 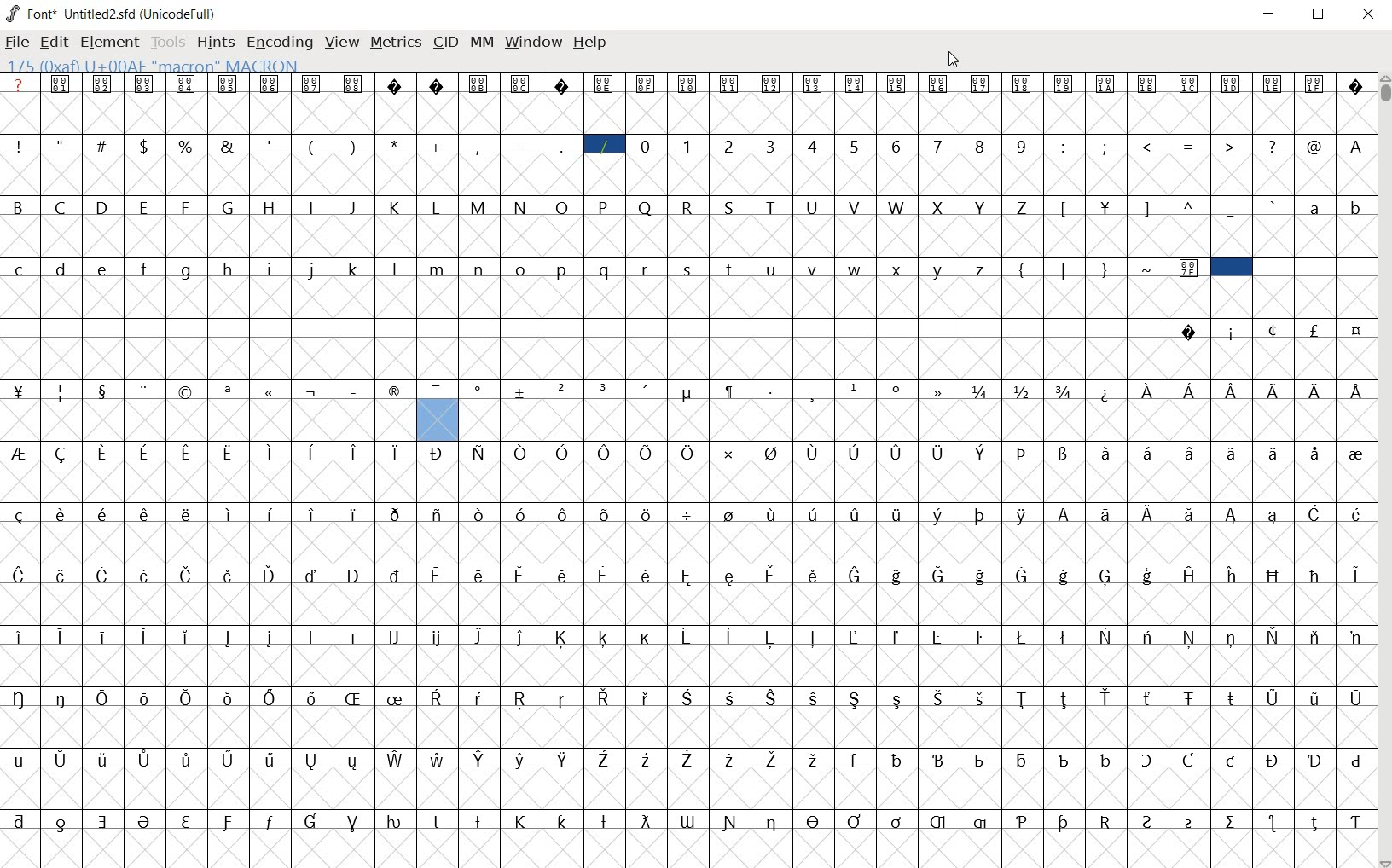 What do you see at coordinates (815, 207) in the screenshot?
I see `U` at bounding box center [815, 207].